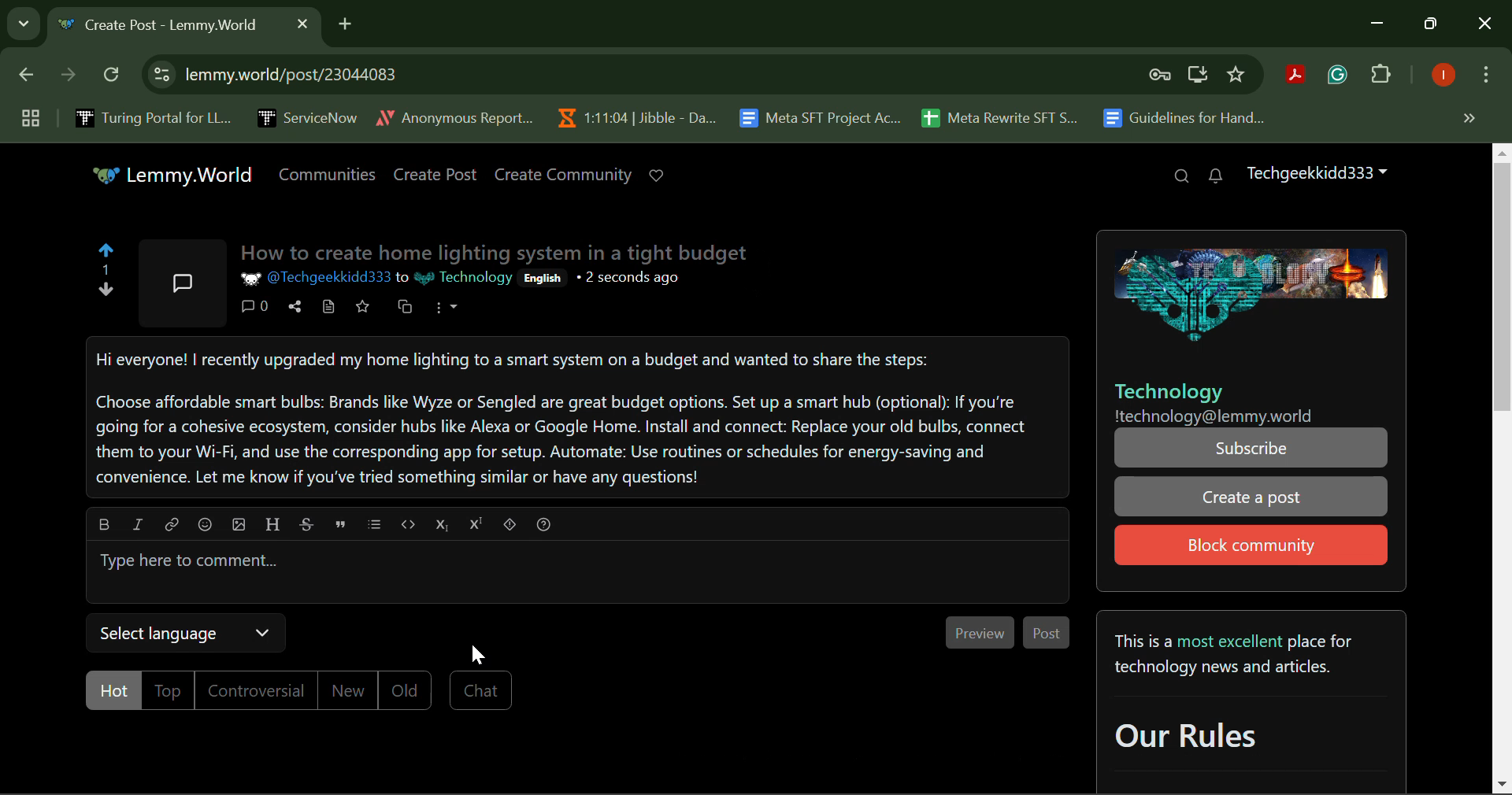 The width and height of the screenshot is (1512, 795). I want to click on Select language Filter, so click(190, 635).